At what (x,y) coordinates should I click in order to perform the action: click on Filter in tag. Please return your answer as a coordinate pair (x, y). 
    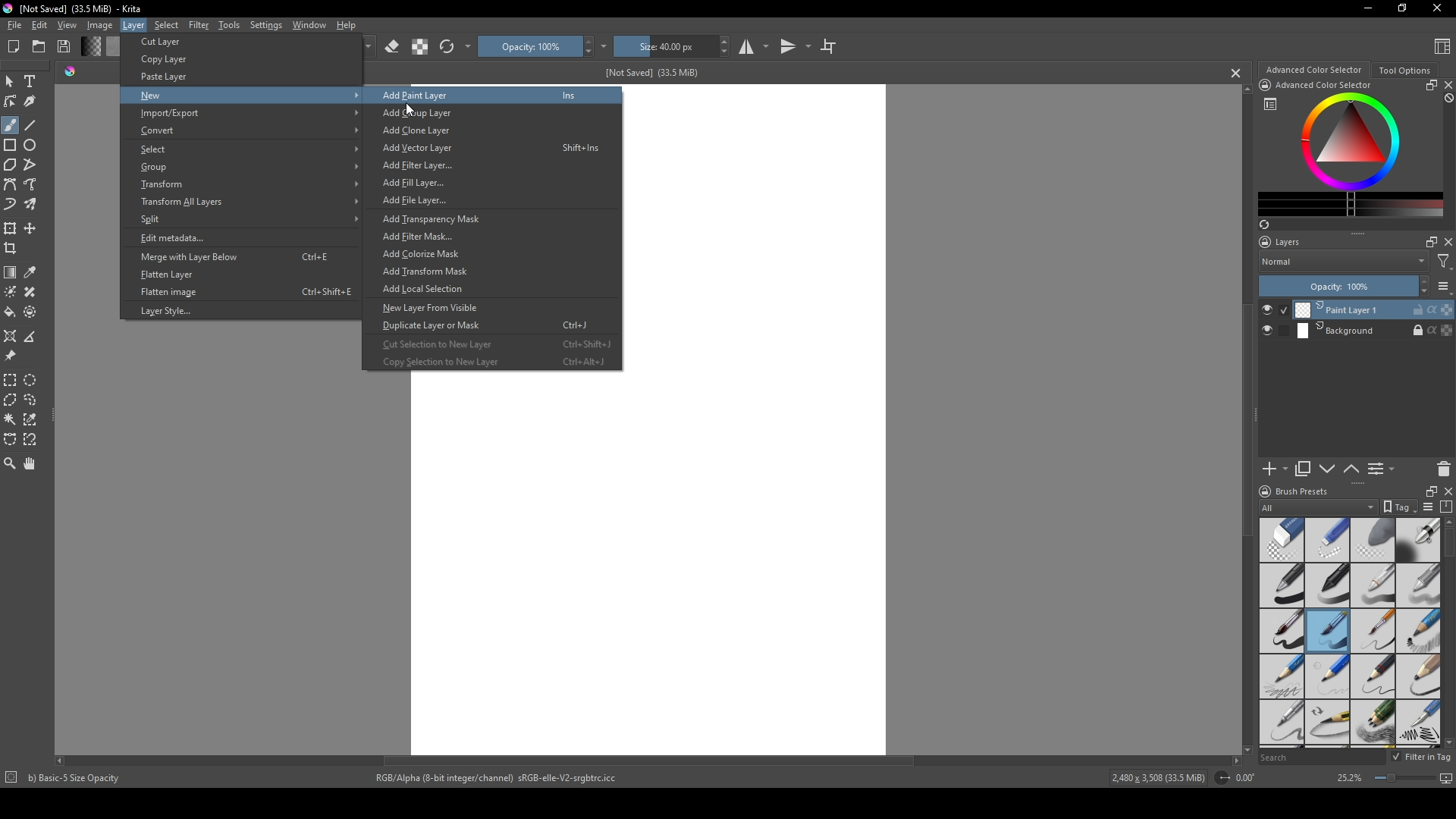
    Looking at the image, I should click on (1423, 758).